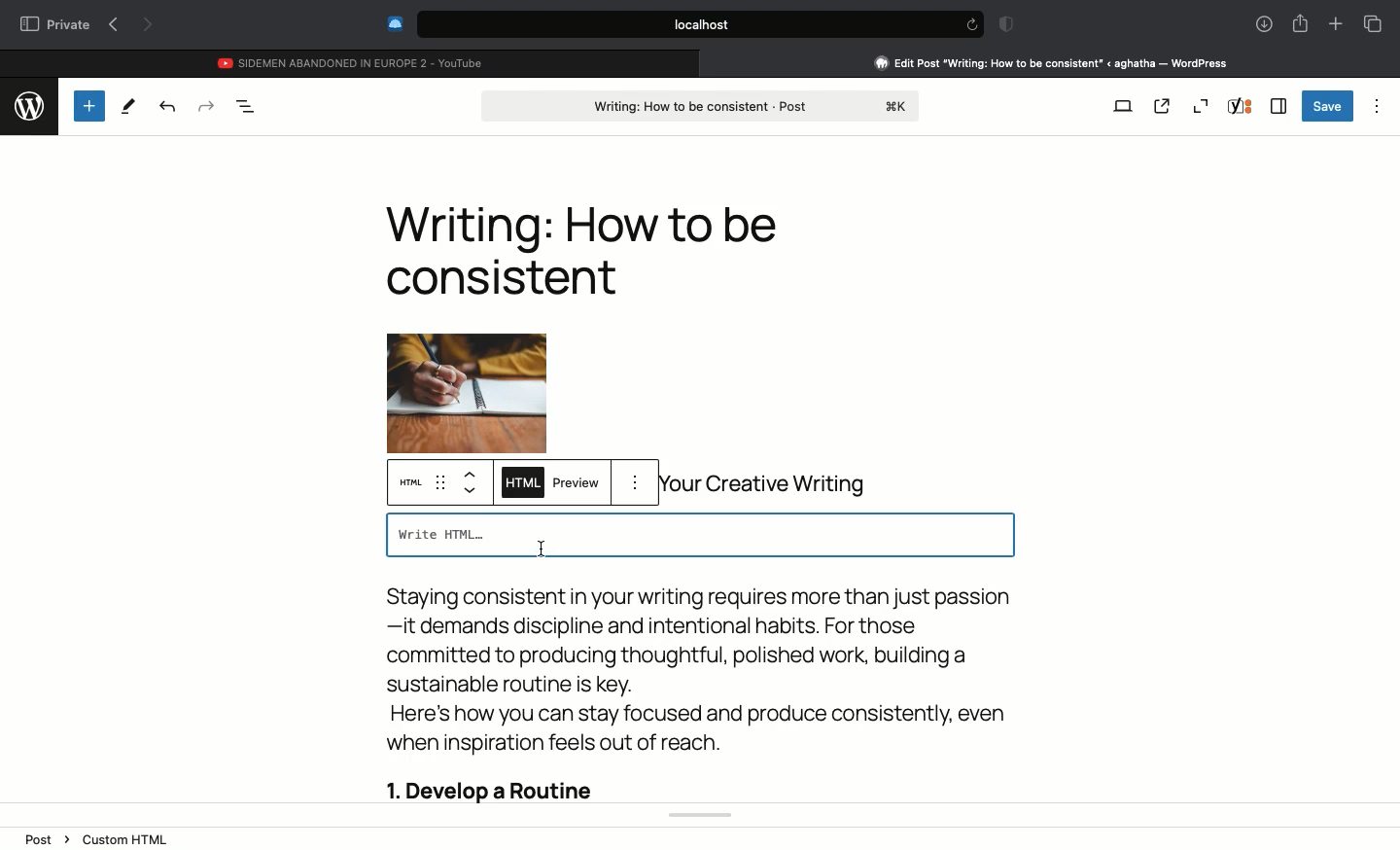 Image resolution: width=1400 pixels, height=850 pixels. What do you see at coordinates (472, 483) in the screenshot?
I see `up & down arrow` at bounding box center [472, 483].